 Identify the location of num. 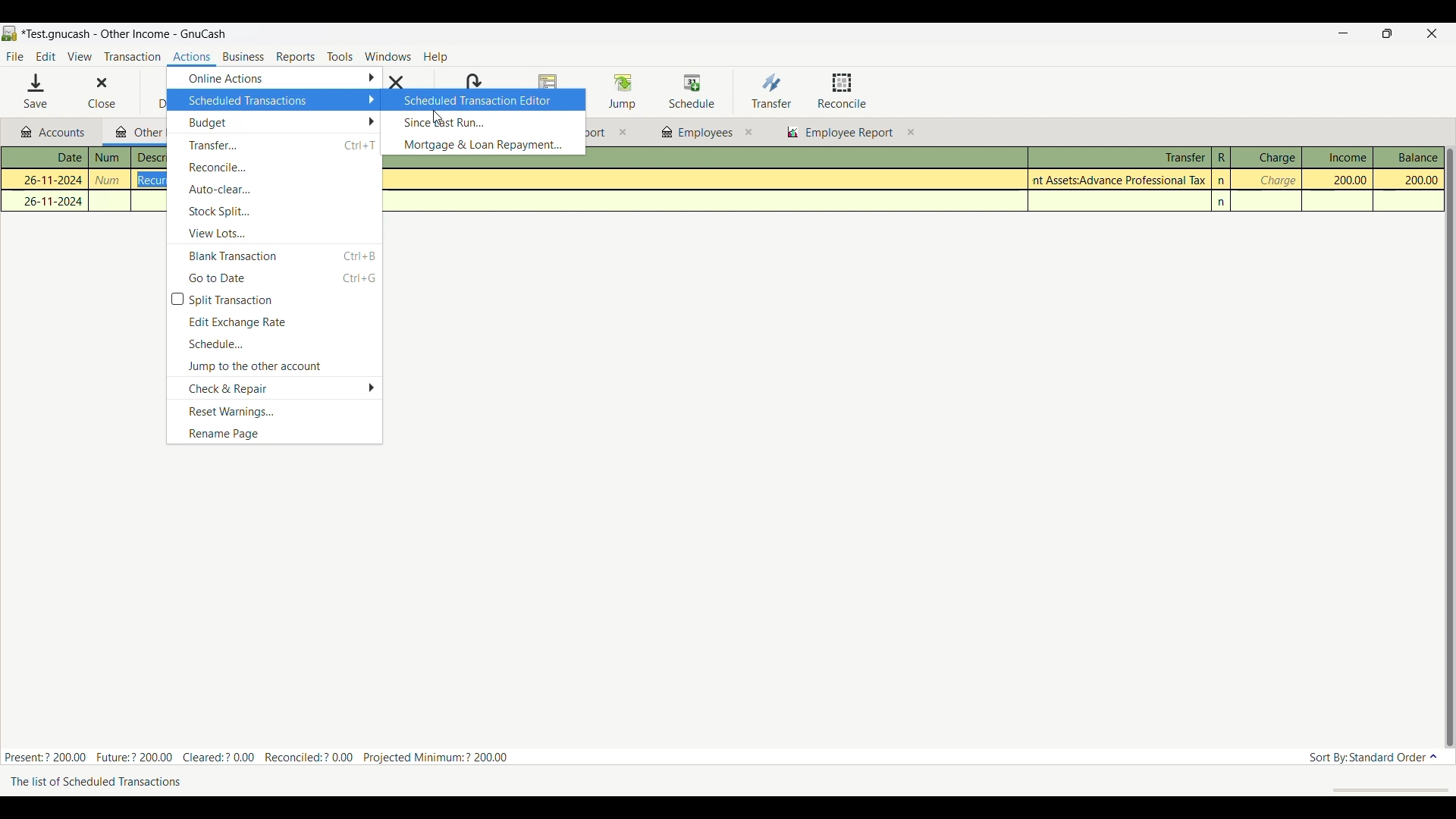
(111, 180).